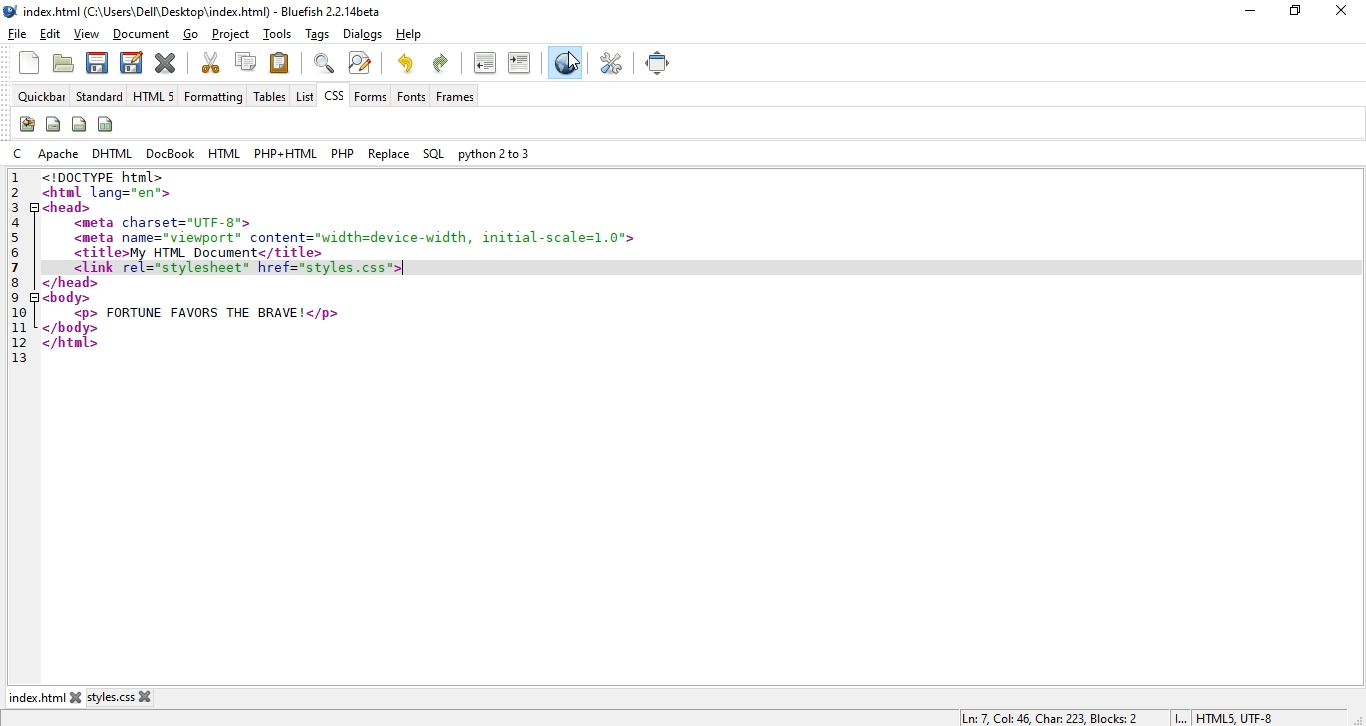 The height and width of the screenshot is (726, 1366). I want to click on copy, so click(246, 61).